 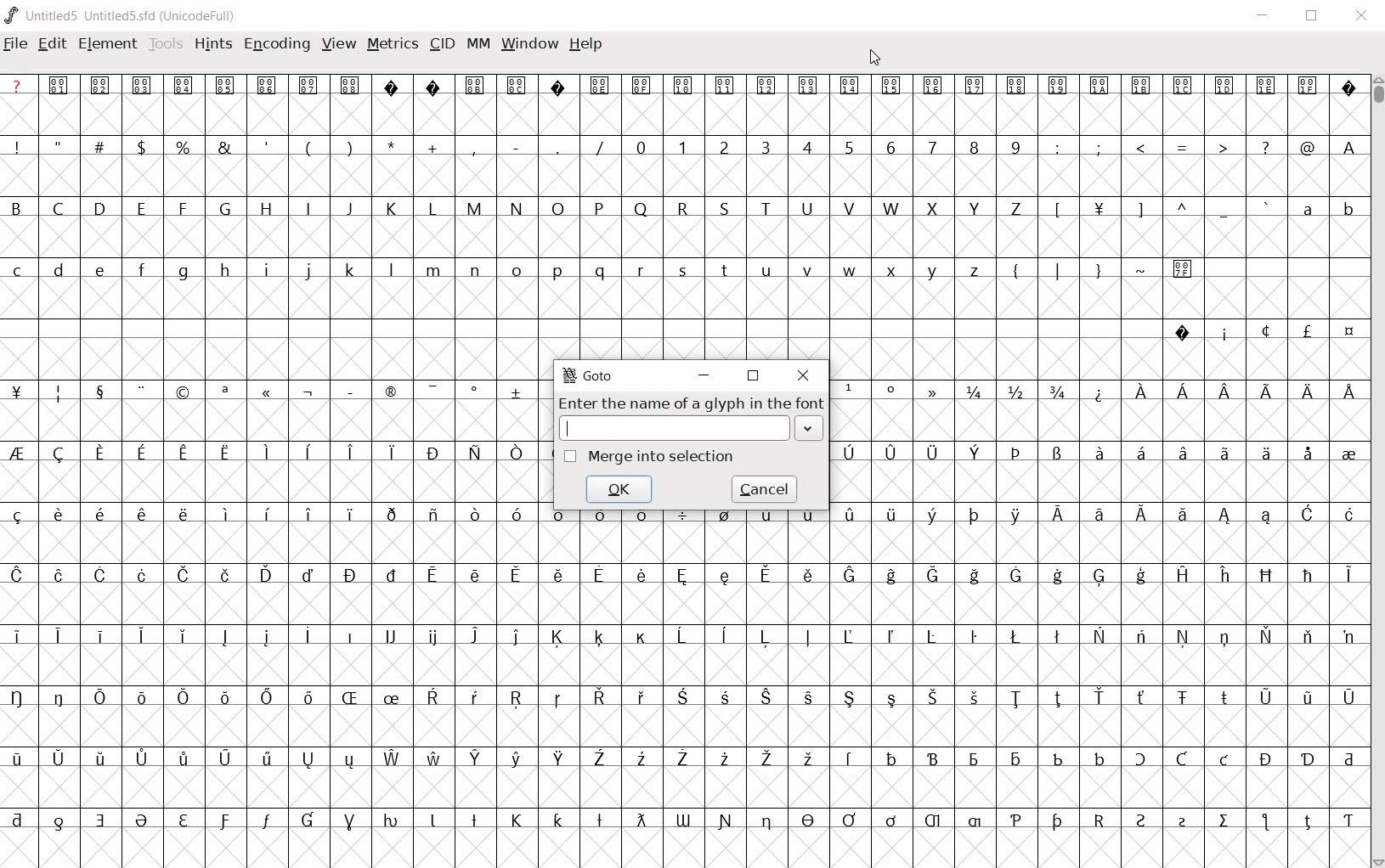 What do you see at coordinates (723, 518) in the screenshot?
I see `Symbol` at bounding box center [723, 518].